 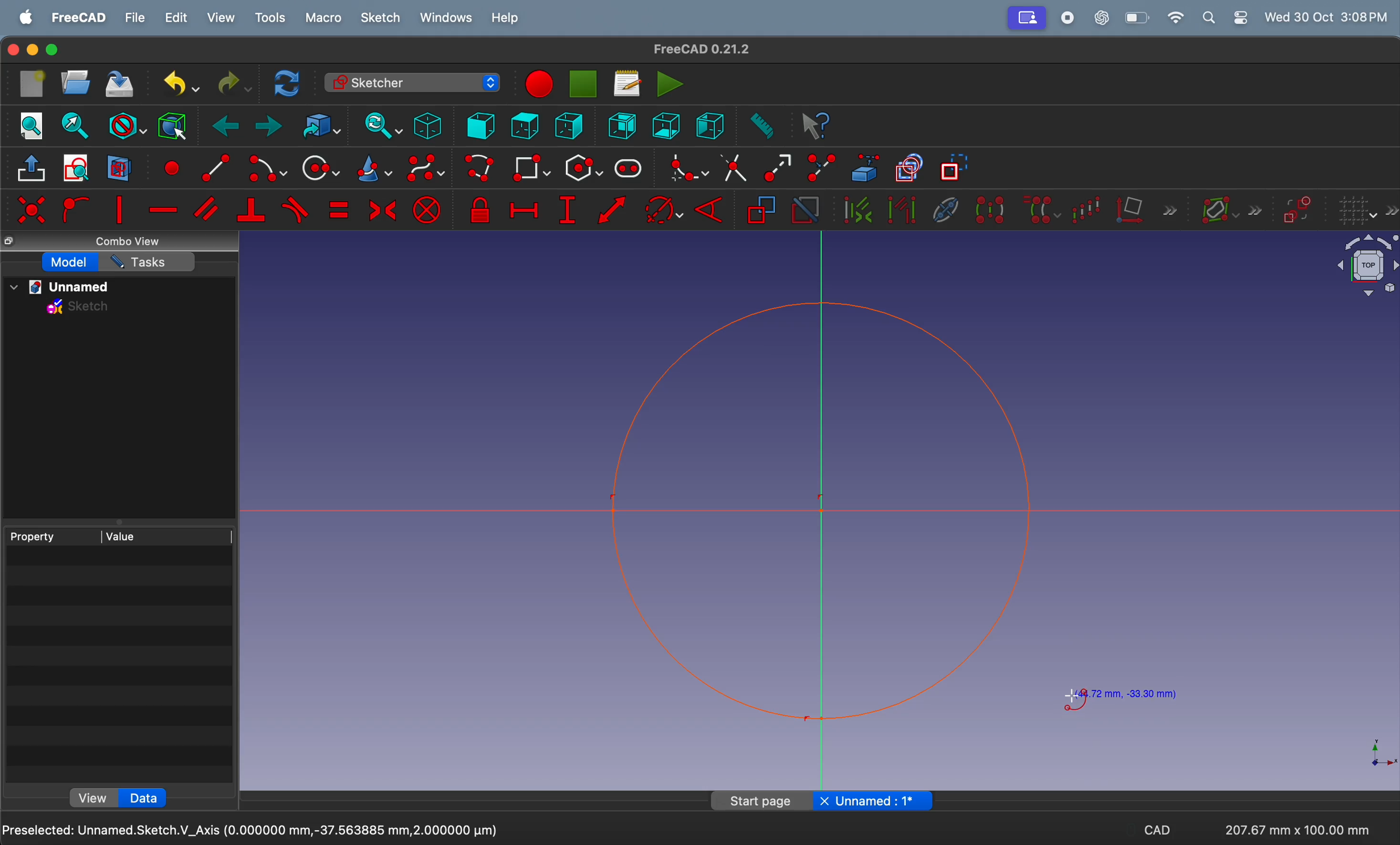 What do you see at coordinates (824, 166) in the screenshot?
I see `split edge` at bounding box center [824, 166].